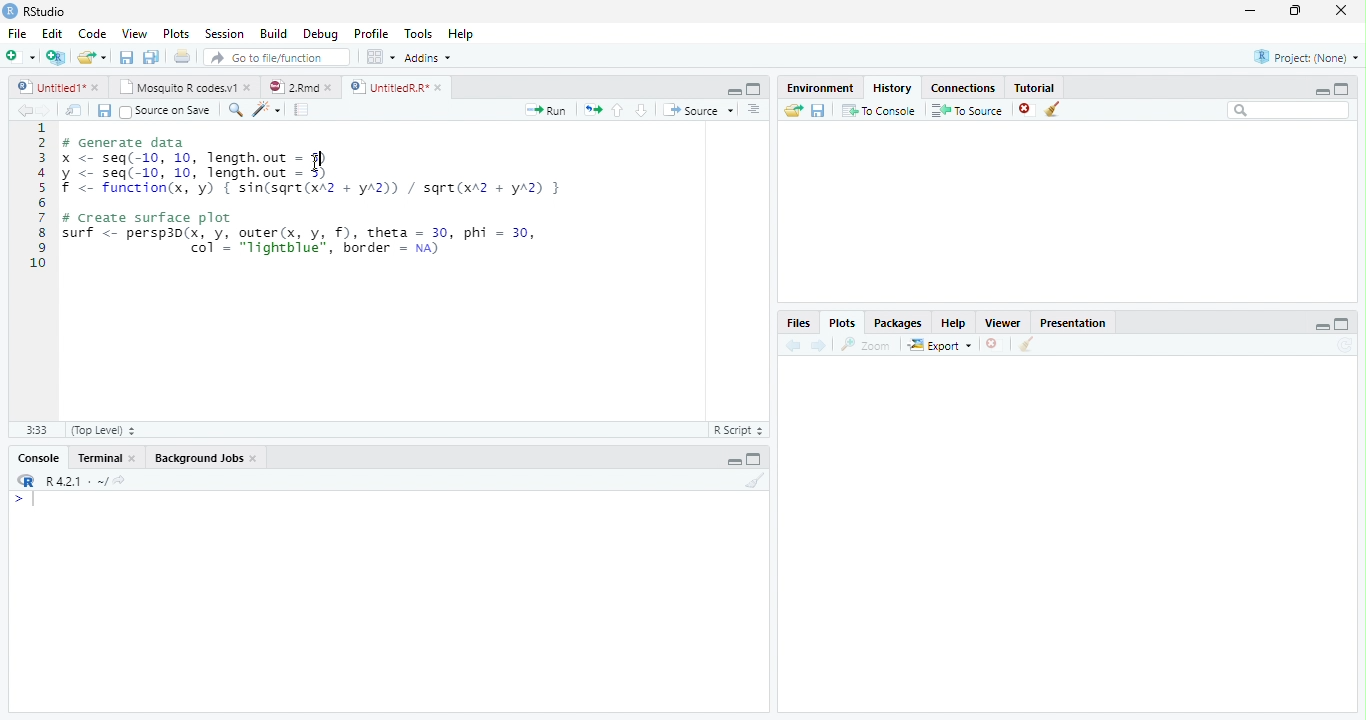 This screenshot has width=1366, height=720. I want to click on # Generate datax <- seq(-10, 10, length.out = 5)y <- seq(-10, 10, length.out - 5)f <- function(x, 'y) { sin(sqre(xA2 + yA2)) / sqre(xr2 + yA2) }# Create surface plotsurf <- persp3d(x, y, outer(x, y, f), theta = 30, phi = 30,| col’ = "lightblue", border = na), so click(317, 204).